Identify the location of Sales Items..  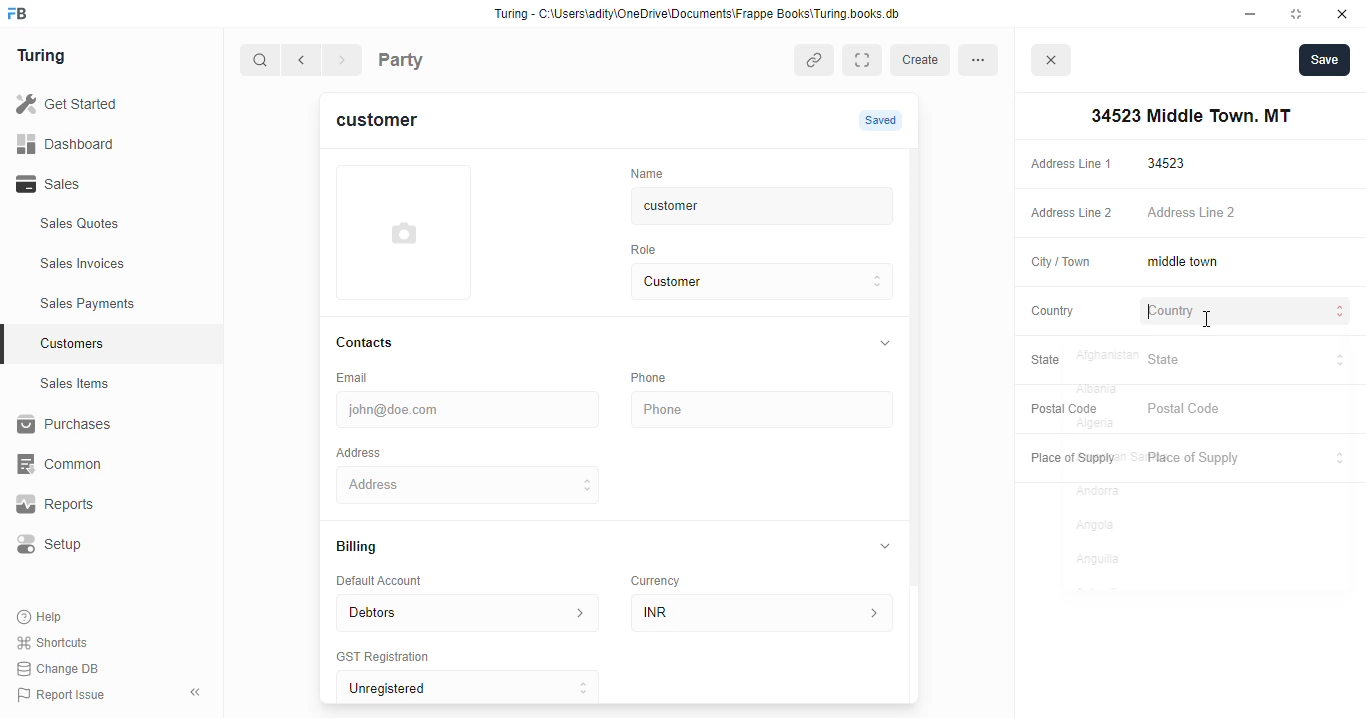
(111, 384).